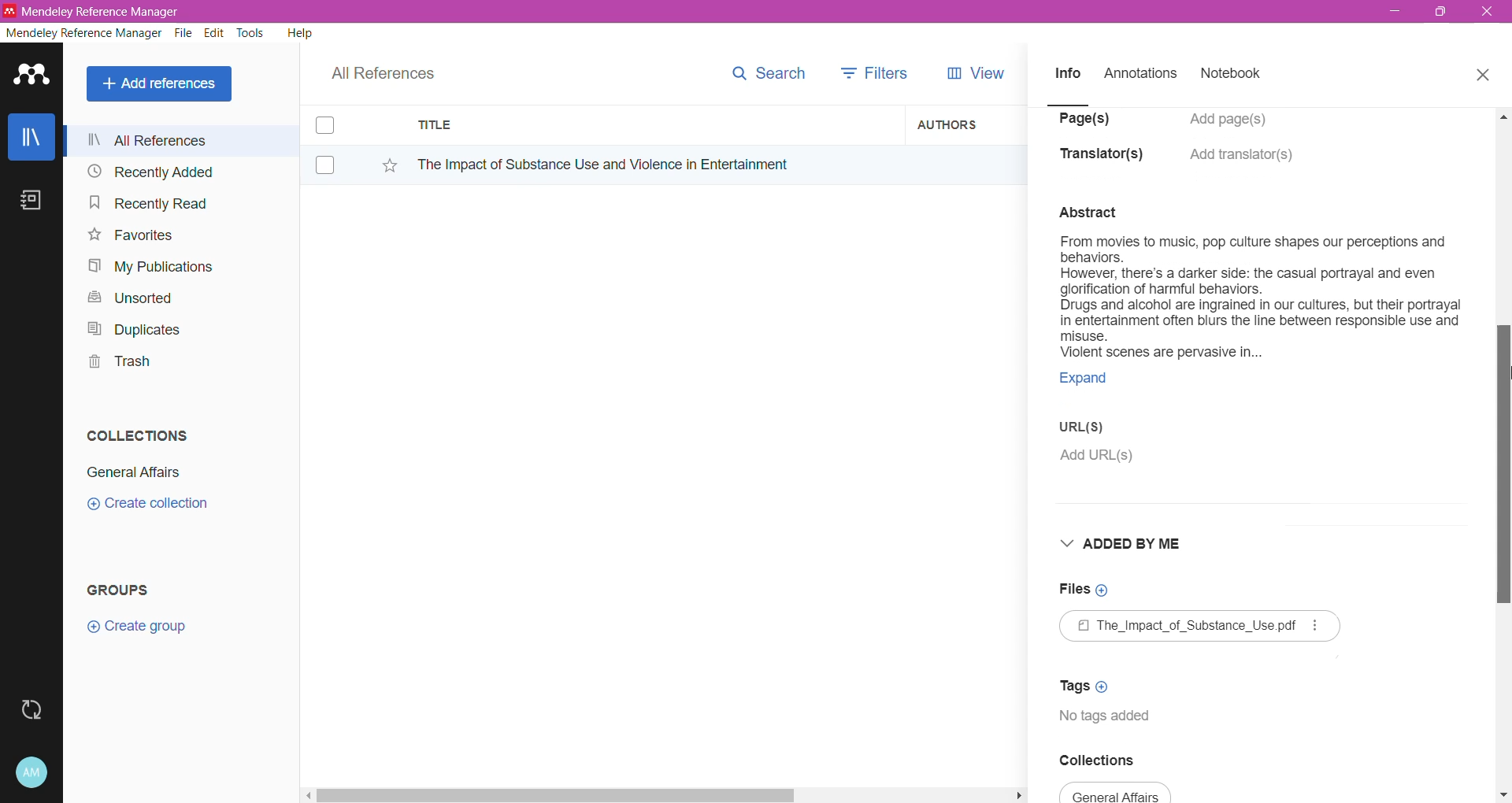  I want to click on annotations, so click(1143, 75).